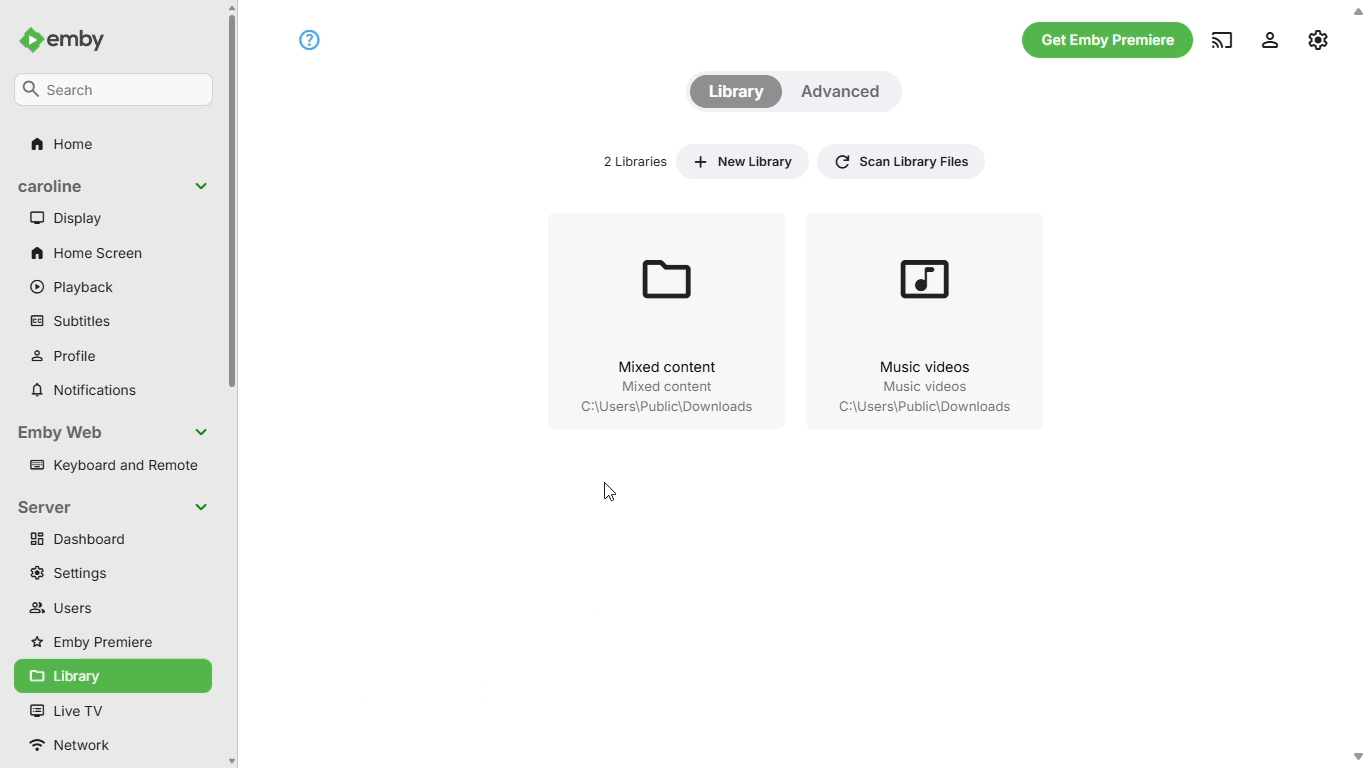 Image resolution: width=1366 pixels, height=768 pixels. Describe the element at coordinates (923, 274) in the screenshot. I see `Music videos
Music videos
C:\Users\Public\Downloads` at that location.